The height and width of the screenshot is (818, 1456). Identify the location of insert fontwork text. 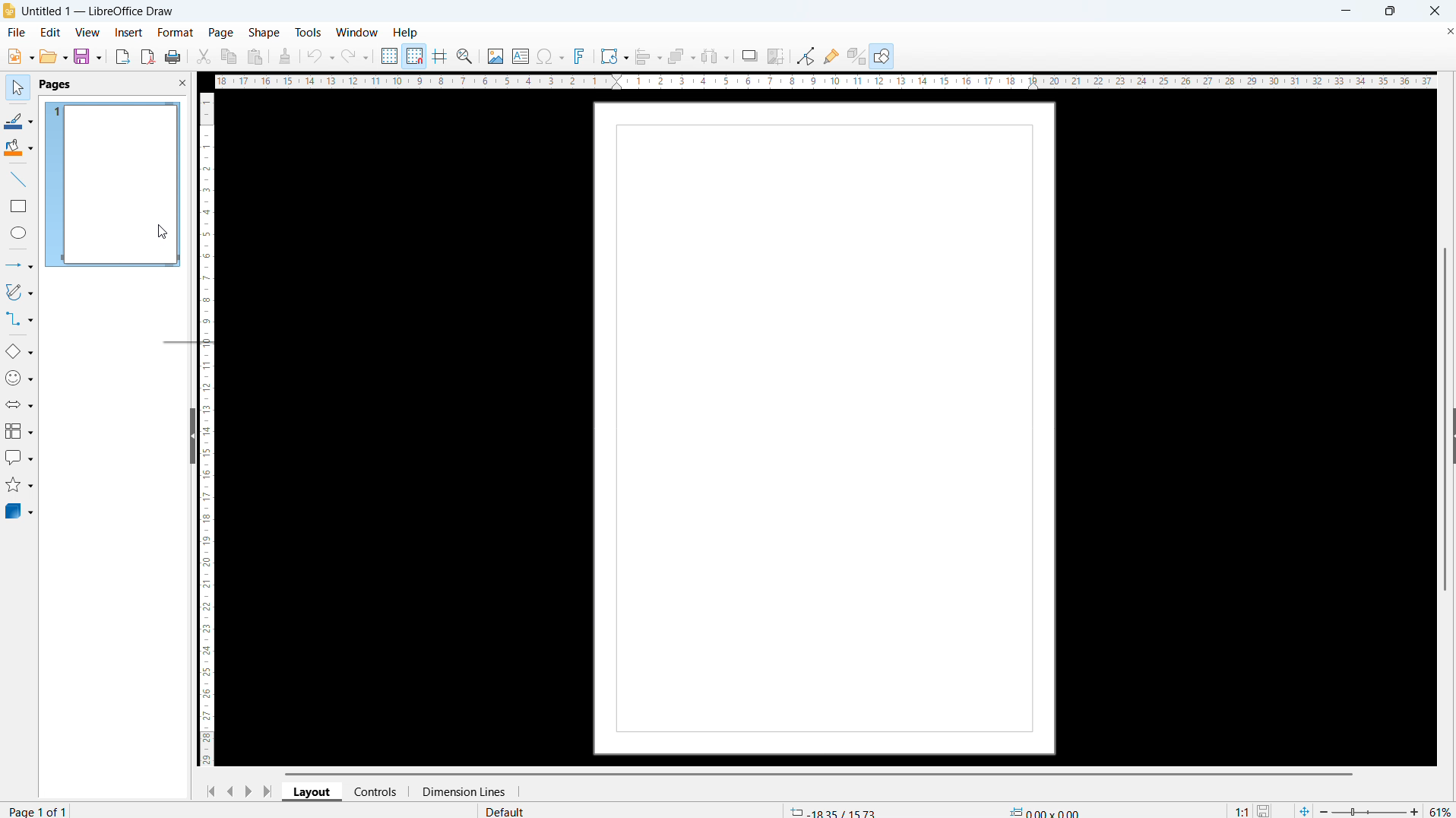
(580, 56).